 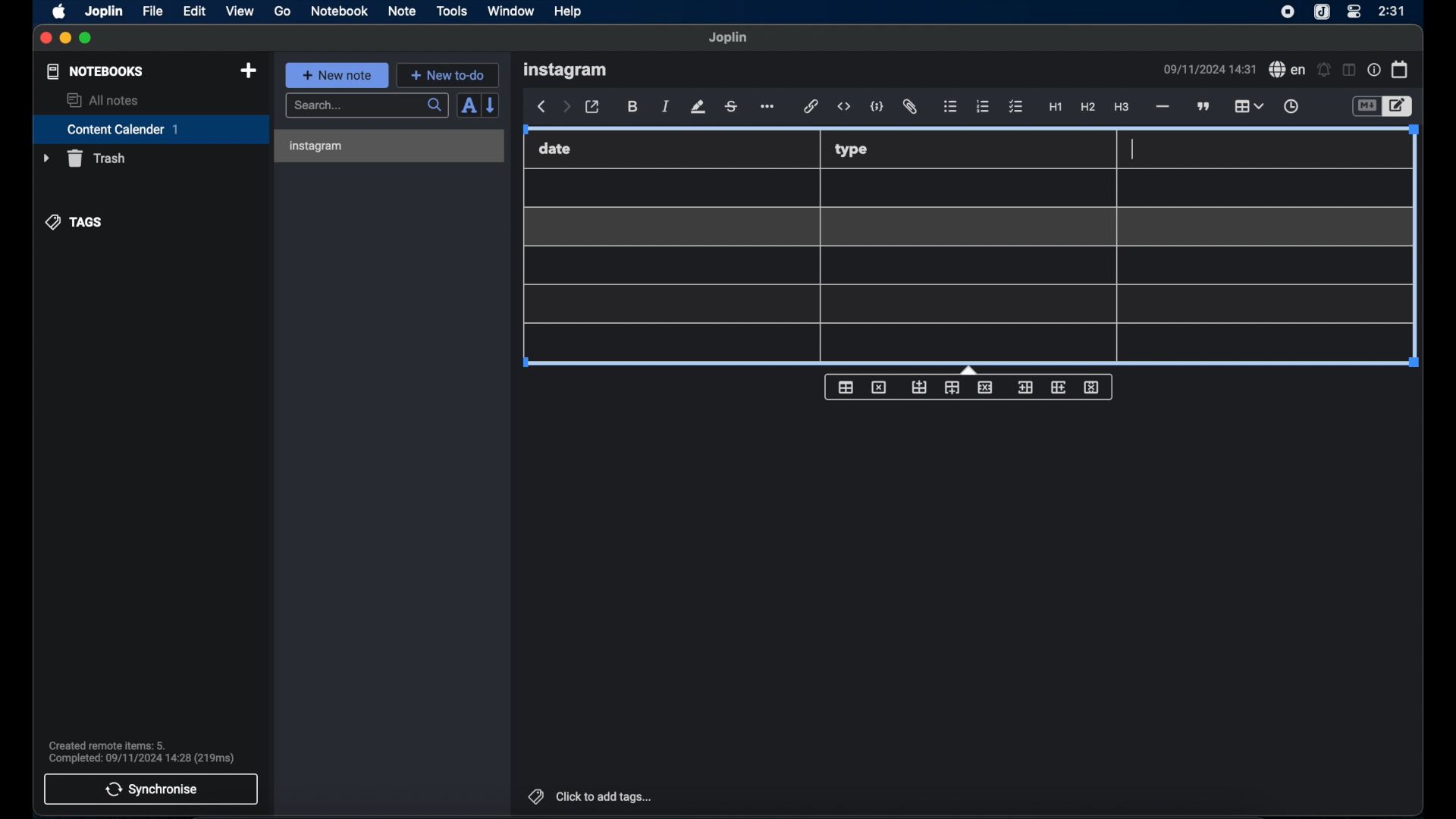 What do you see at coordinates (104, 100) in the screenshot?
I see `all notes` at bounding box center [104, 100].